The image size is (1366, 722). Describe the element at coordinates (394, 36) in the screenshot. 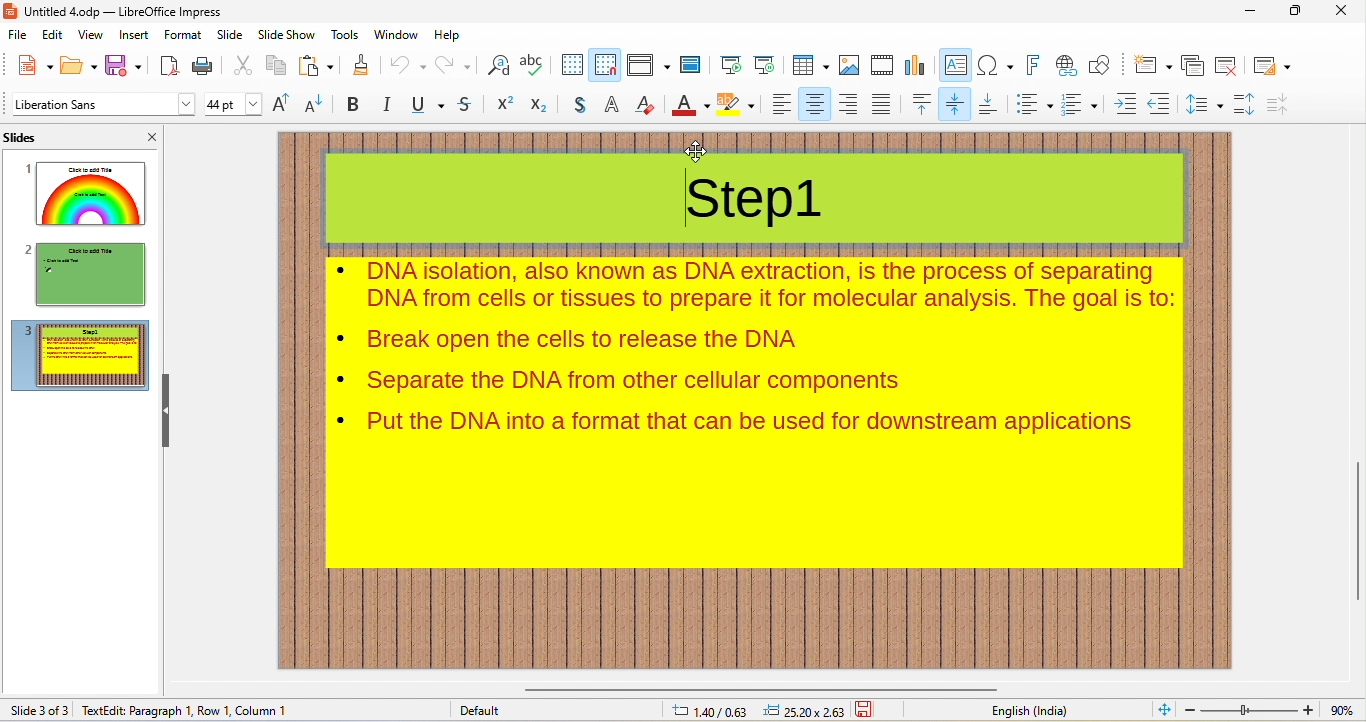

I see `window` at that location.